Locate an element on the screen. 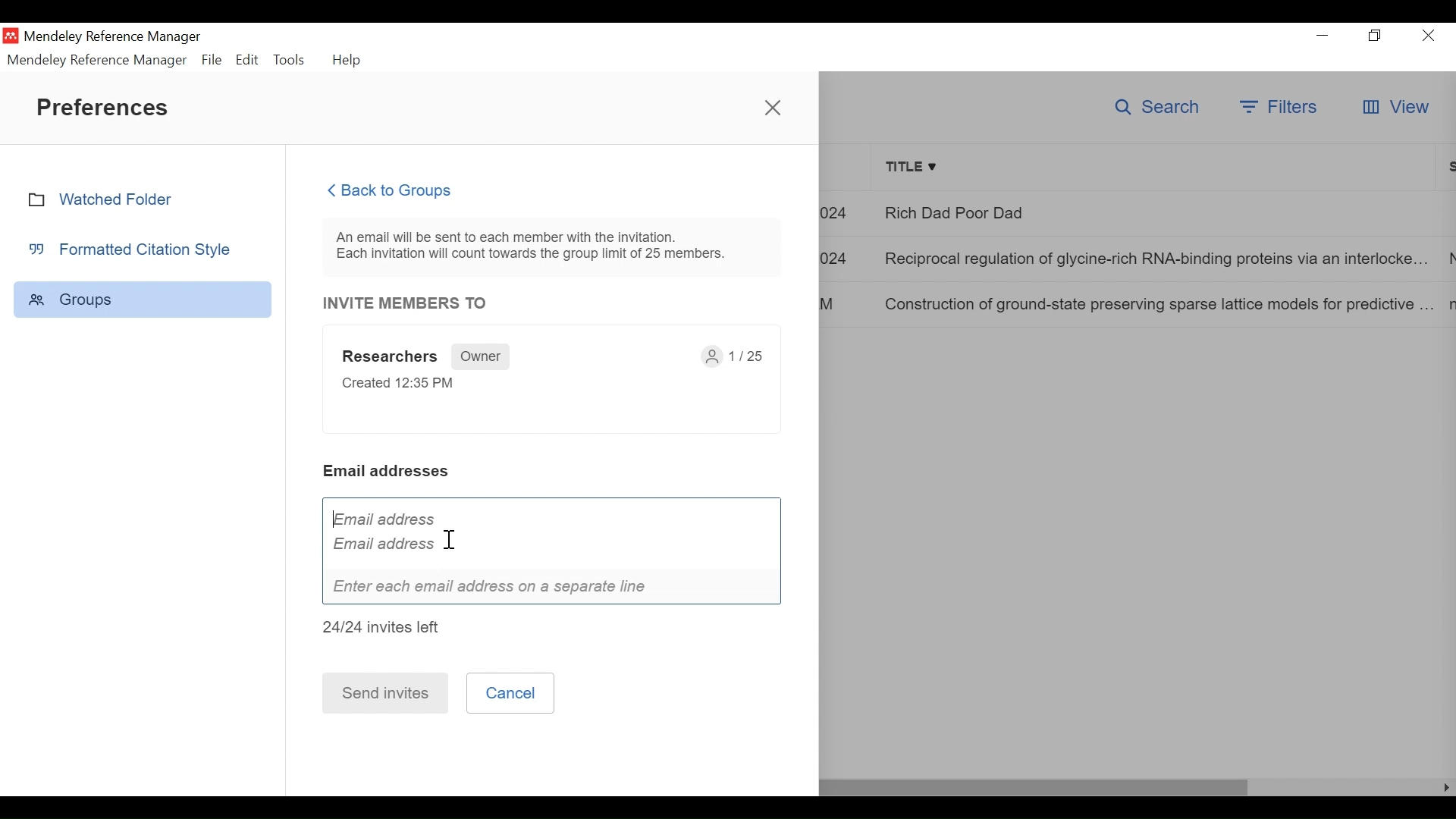  24/24 invites left is located at coordinates (391, 629).